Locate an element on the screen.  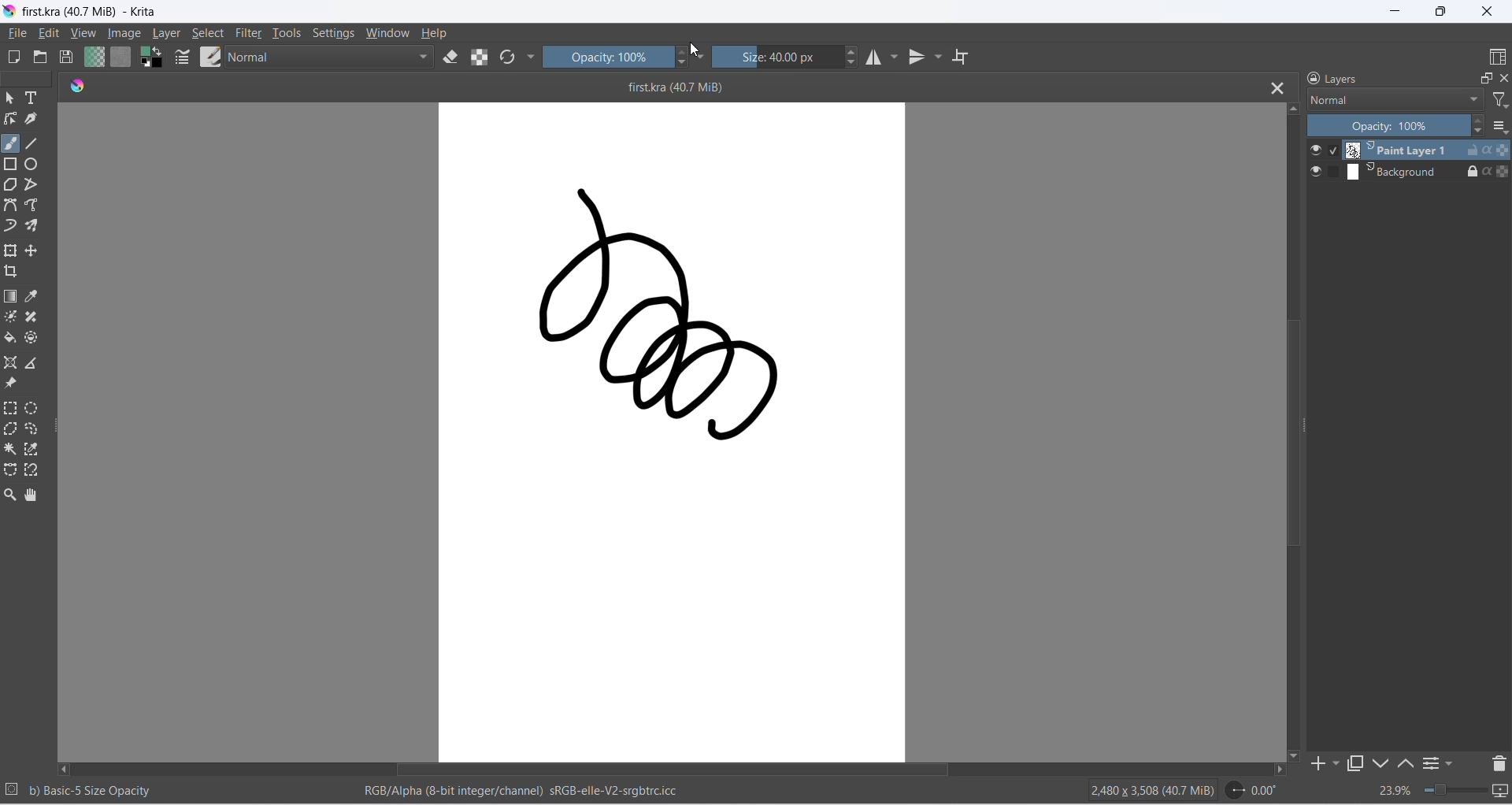
edit shapes tool is located at coordinates (10, 118).